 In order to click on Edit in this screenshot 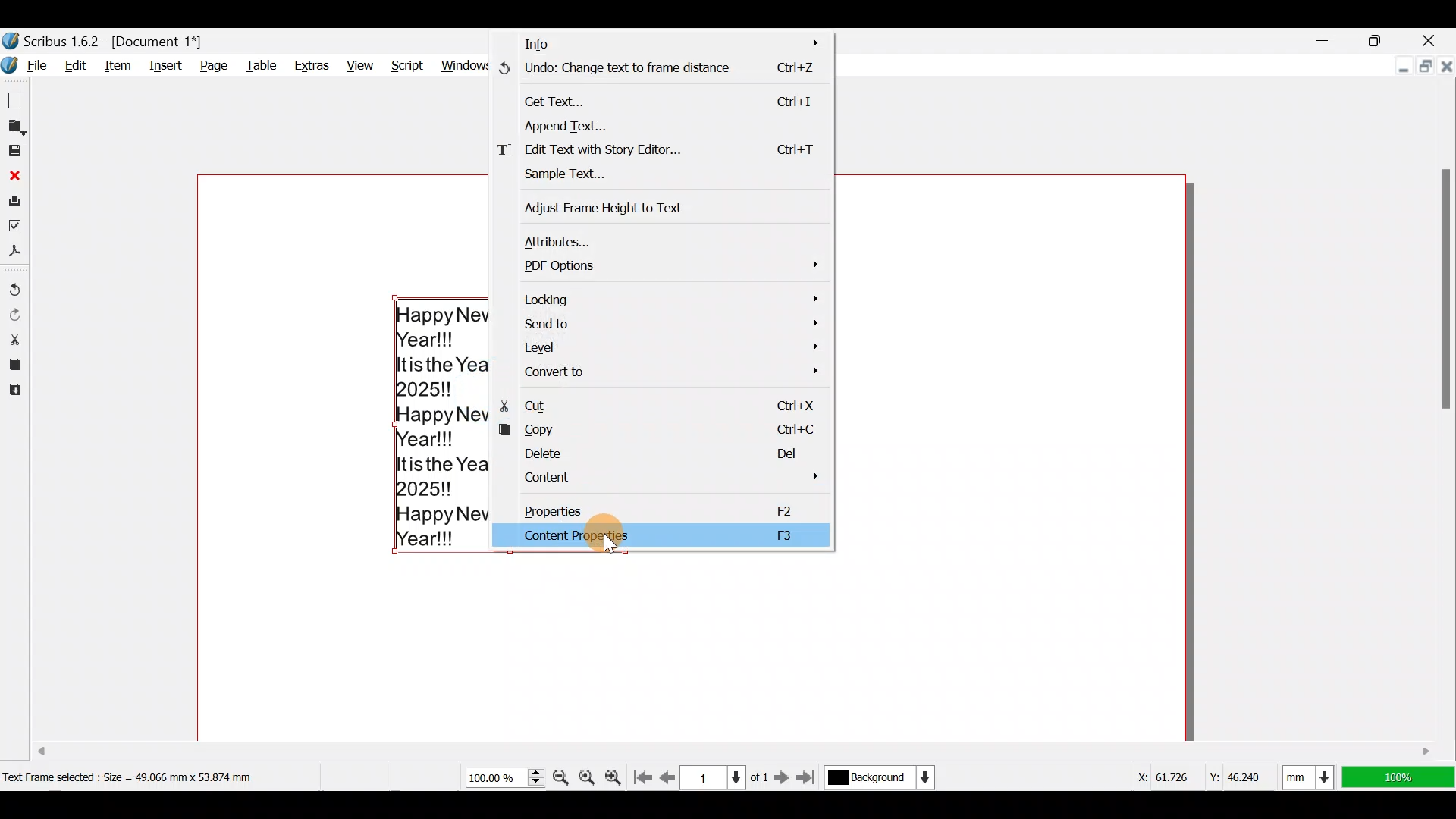, I will do `click(79, 65)`.